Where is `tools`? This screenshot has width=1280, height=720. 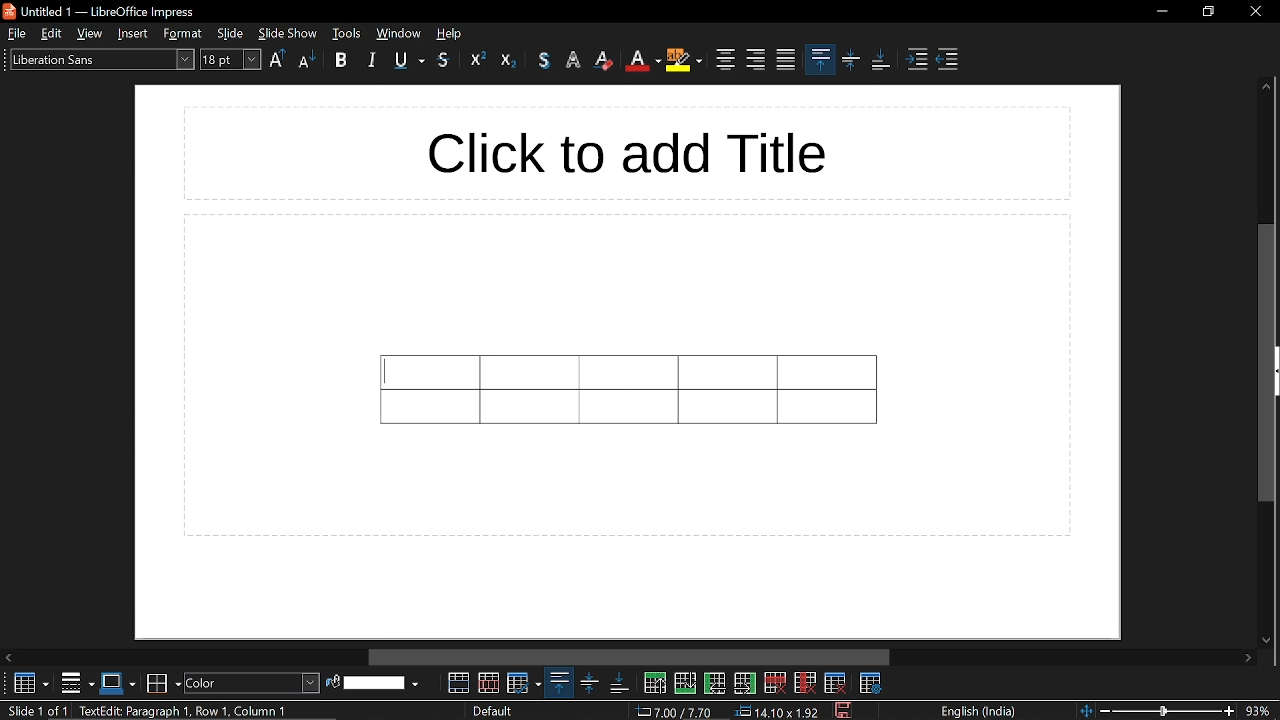
tools is located at coordinates (348, 34).